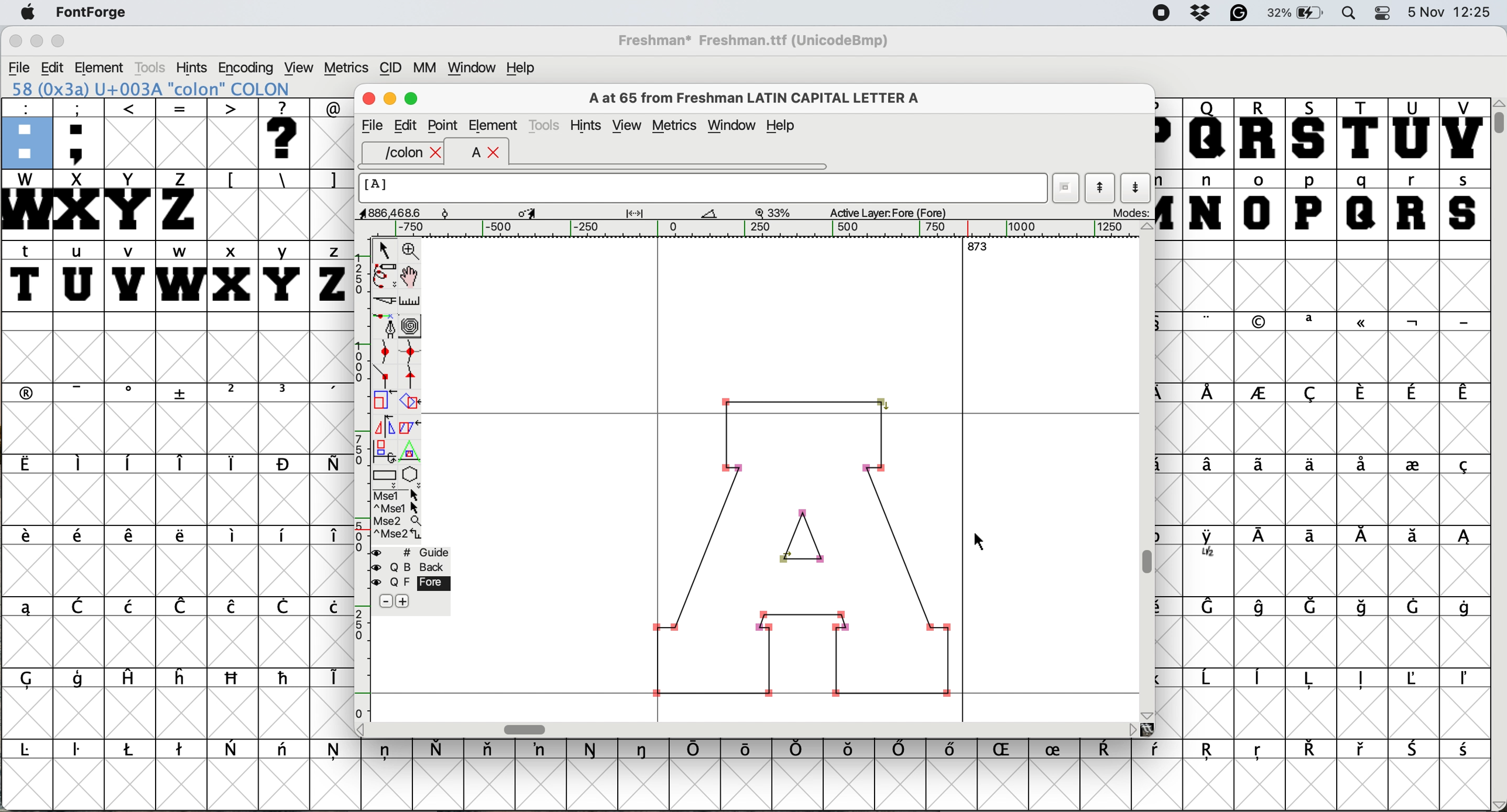  Describe the element at coordinates (384, 446) in the screenshot. I see `rotate selection in 3d and project back to plane` at that location.